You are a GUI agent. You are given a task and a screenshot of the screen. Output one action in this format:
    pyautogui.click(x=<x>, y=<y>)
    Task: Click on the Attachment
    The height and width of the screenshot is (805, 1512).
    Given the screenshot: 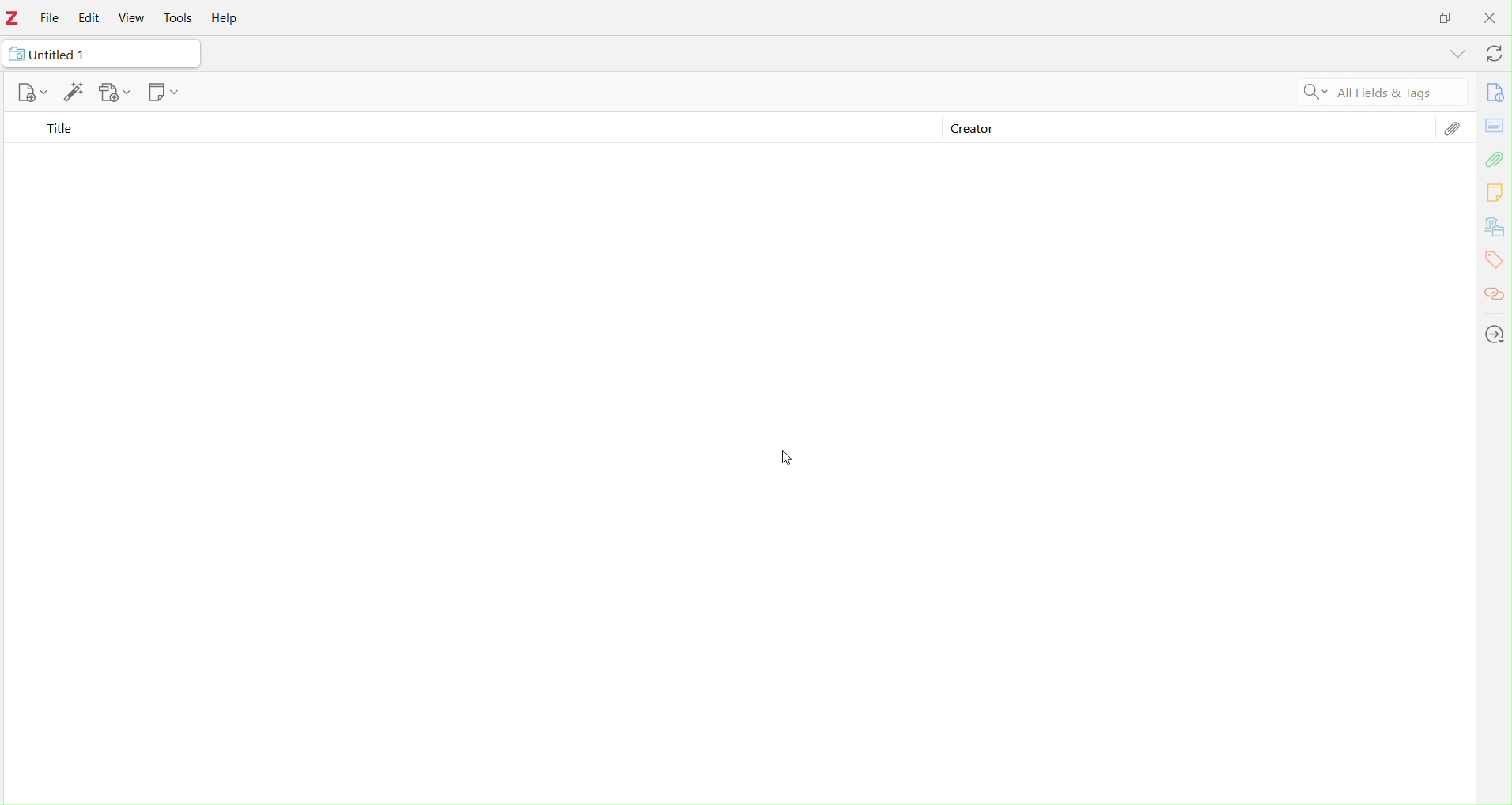 What is the action you would take?
    pyautogui.click(x=1496, y=160)
    